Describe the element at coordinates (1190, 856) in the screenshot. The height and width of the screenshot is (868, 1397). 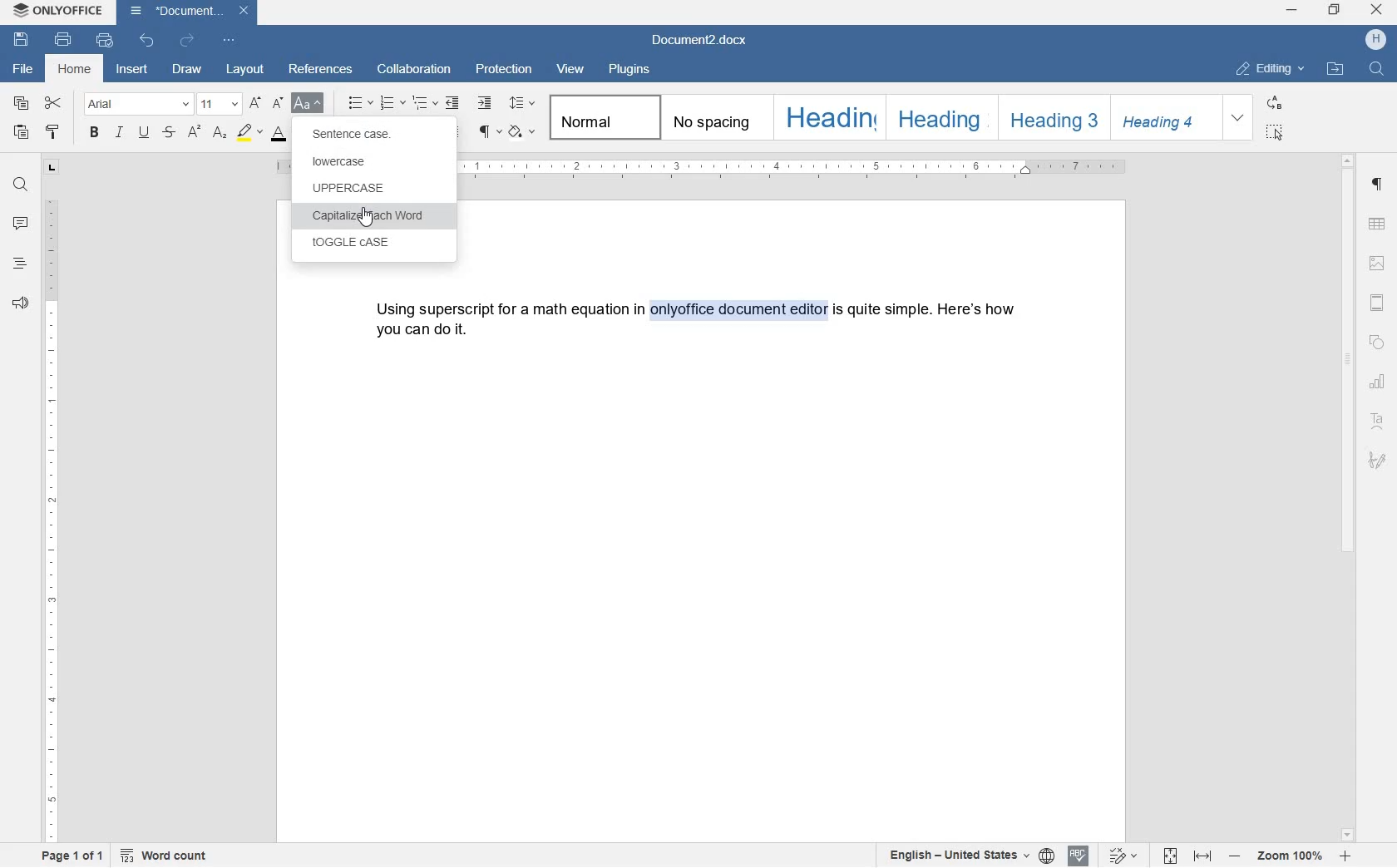
I see `fit to page or fit to width` at that location.